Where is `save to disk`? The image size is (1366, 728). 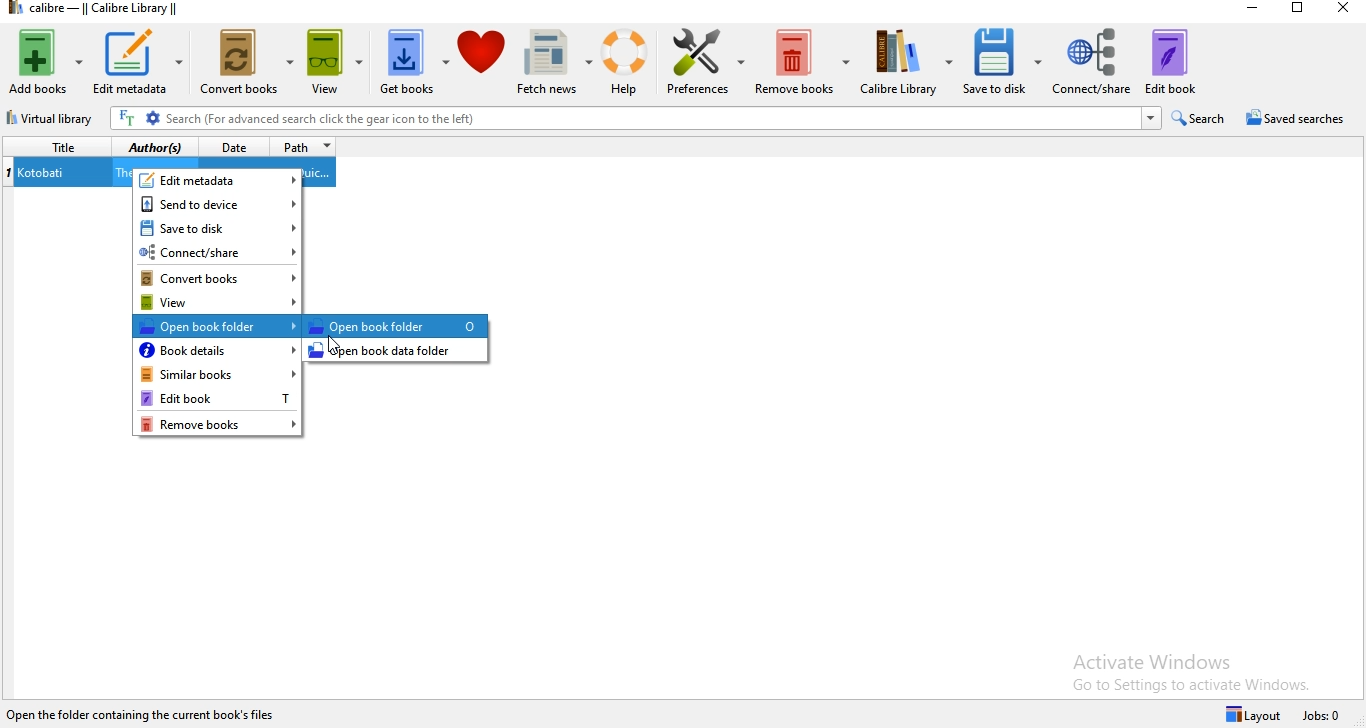
save to disk is located at coordinates (220, 229).